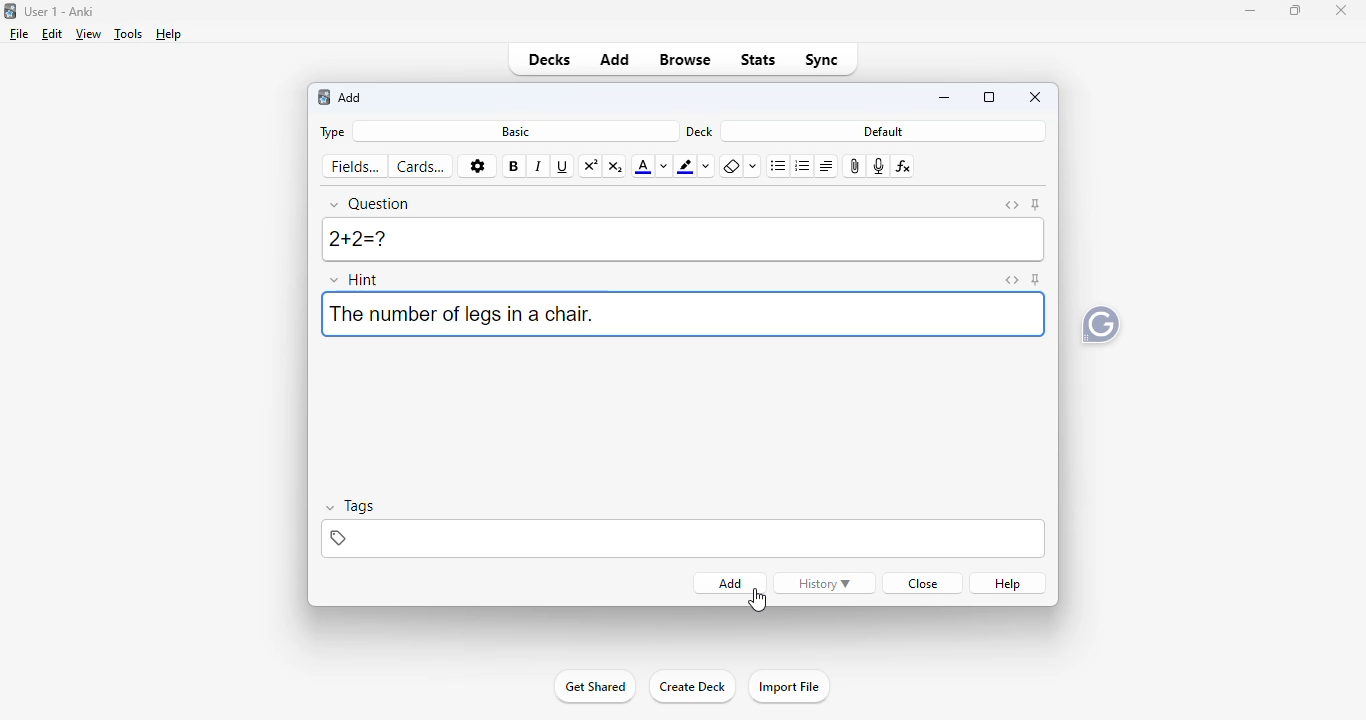  What do you see at coordinates (334, 133) in the screenshot?
I see `type` at bounding box center [334, 133].